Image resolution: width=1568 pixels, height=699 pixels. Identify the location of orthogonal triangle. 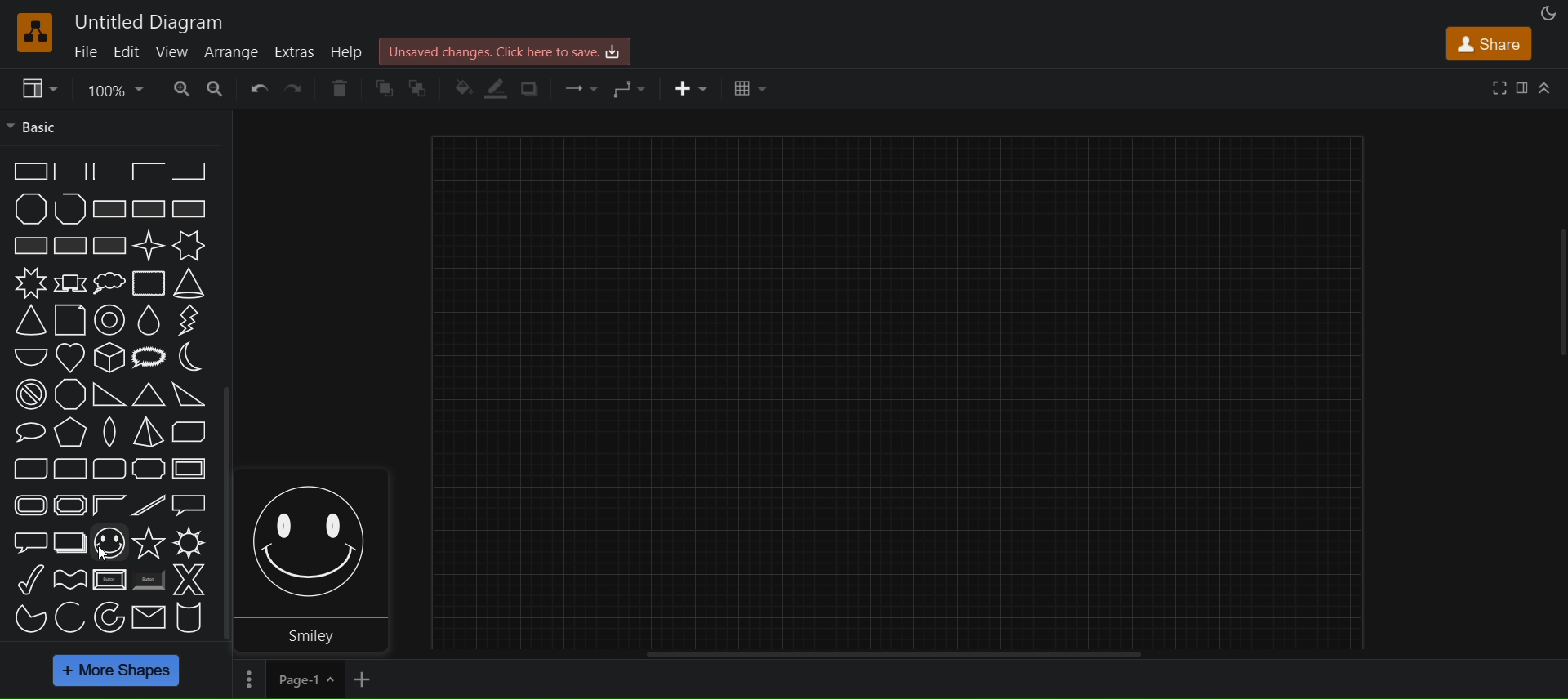
(107, 395).